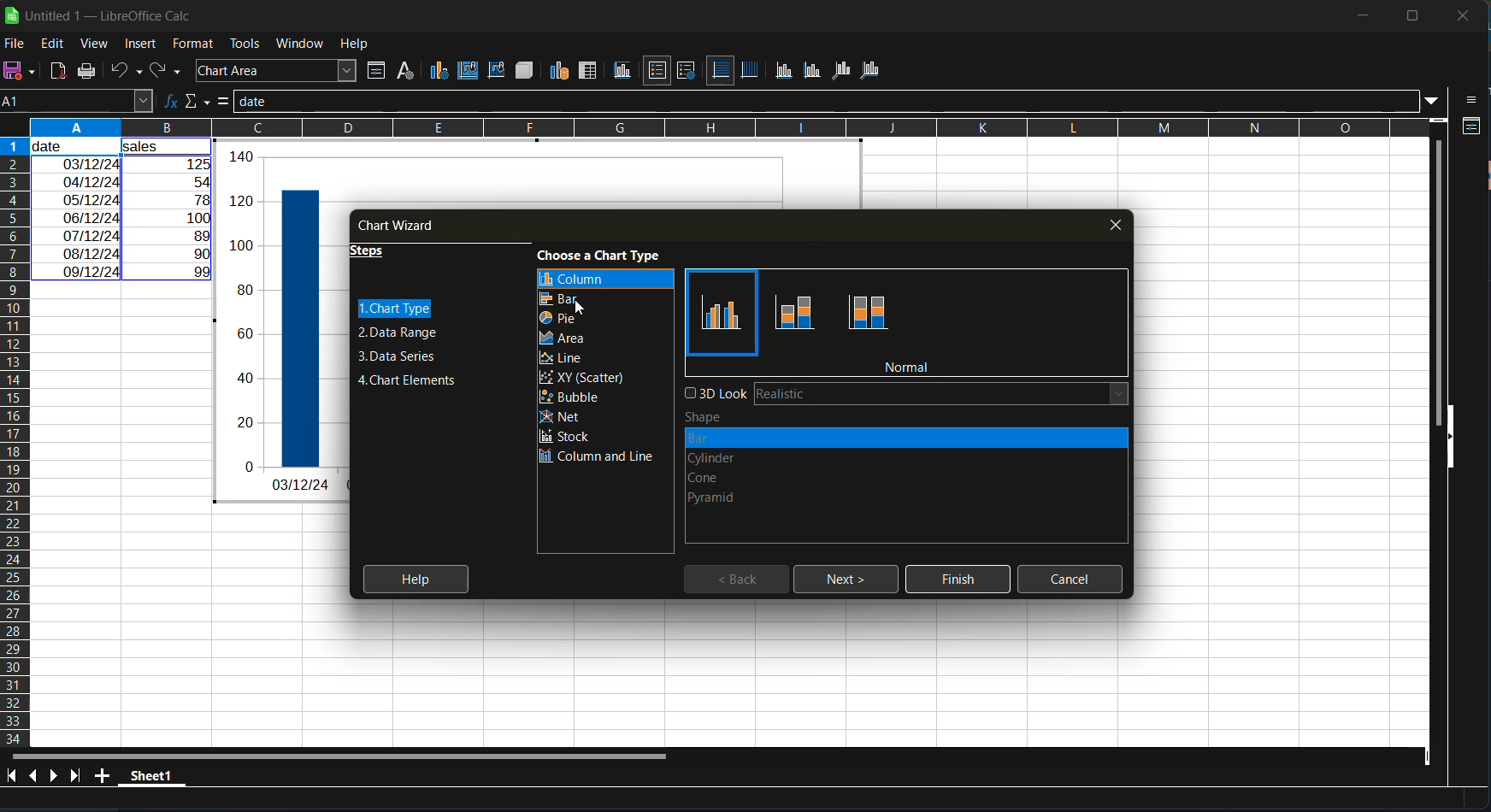  Describe the element at coordinates (811, 68) in the screenshot. I see `y axis` at that location.